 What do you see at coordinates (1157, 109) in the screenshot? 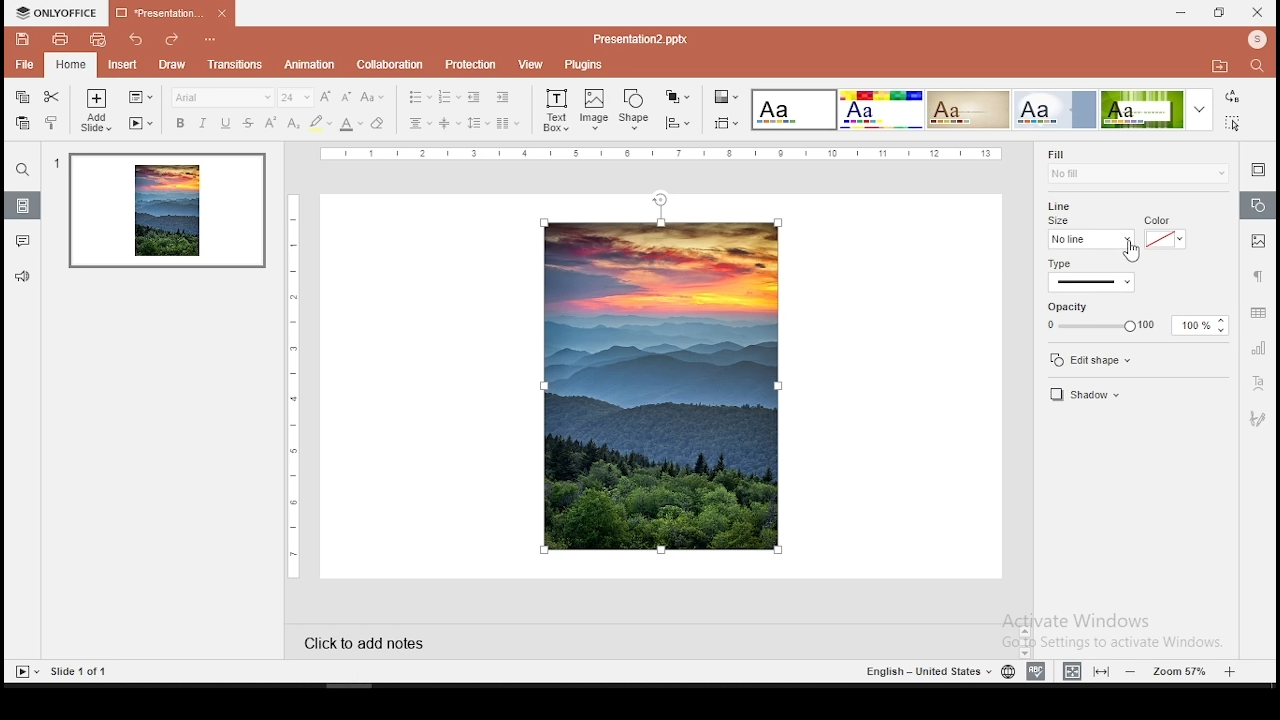
I see `theme ` at bounding box center [1157, 109].